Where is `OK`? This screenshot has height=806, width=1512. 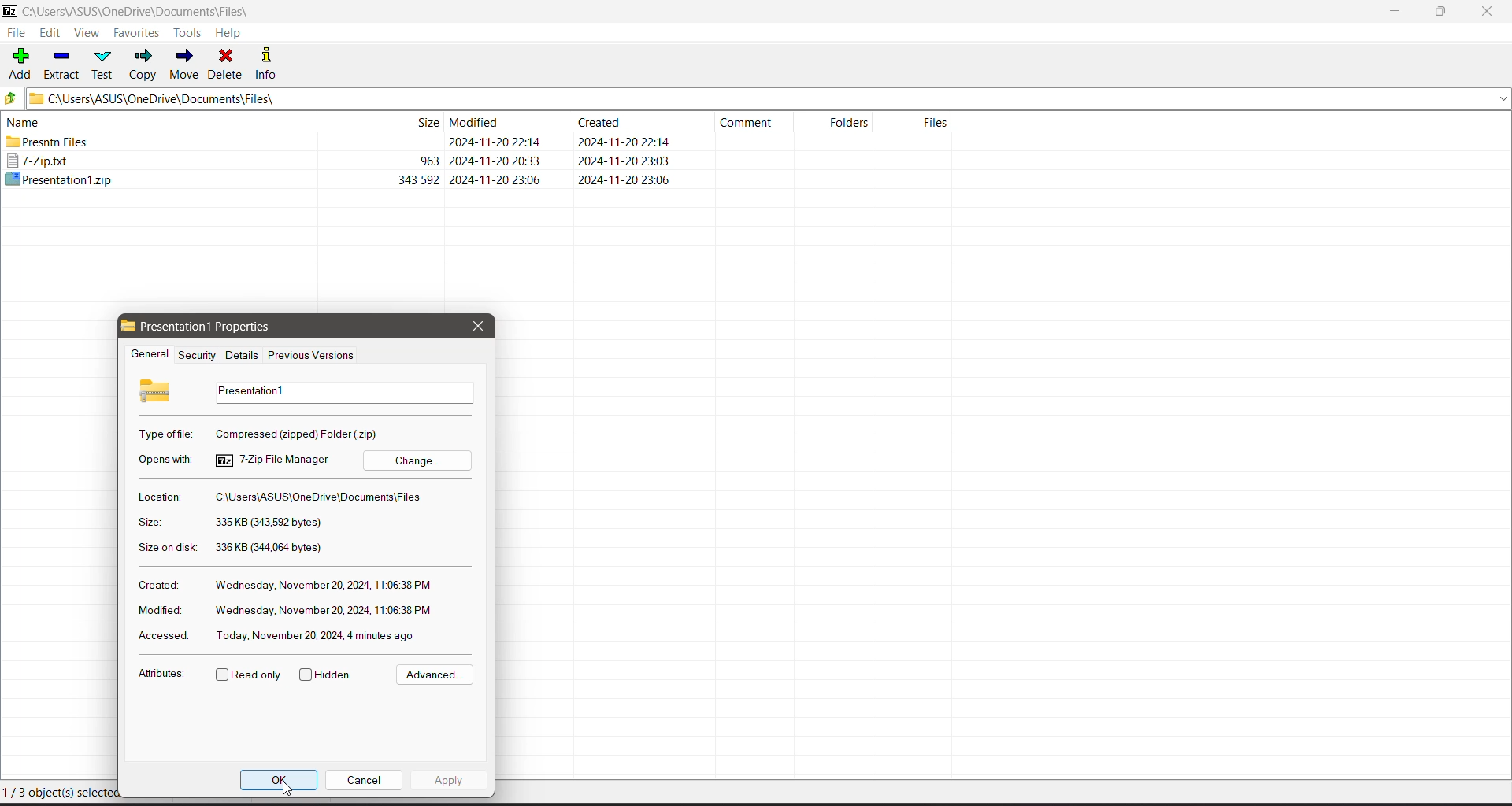
OK is located at coordinates (280, 777).